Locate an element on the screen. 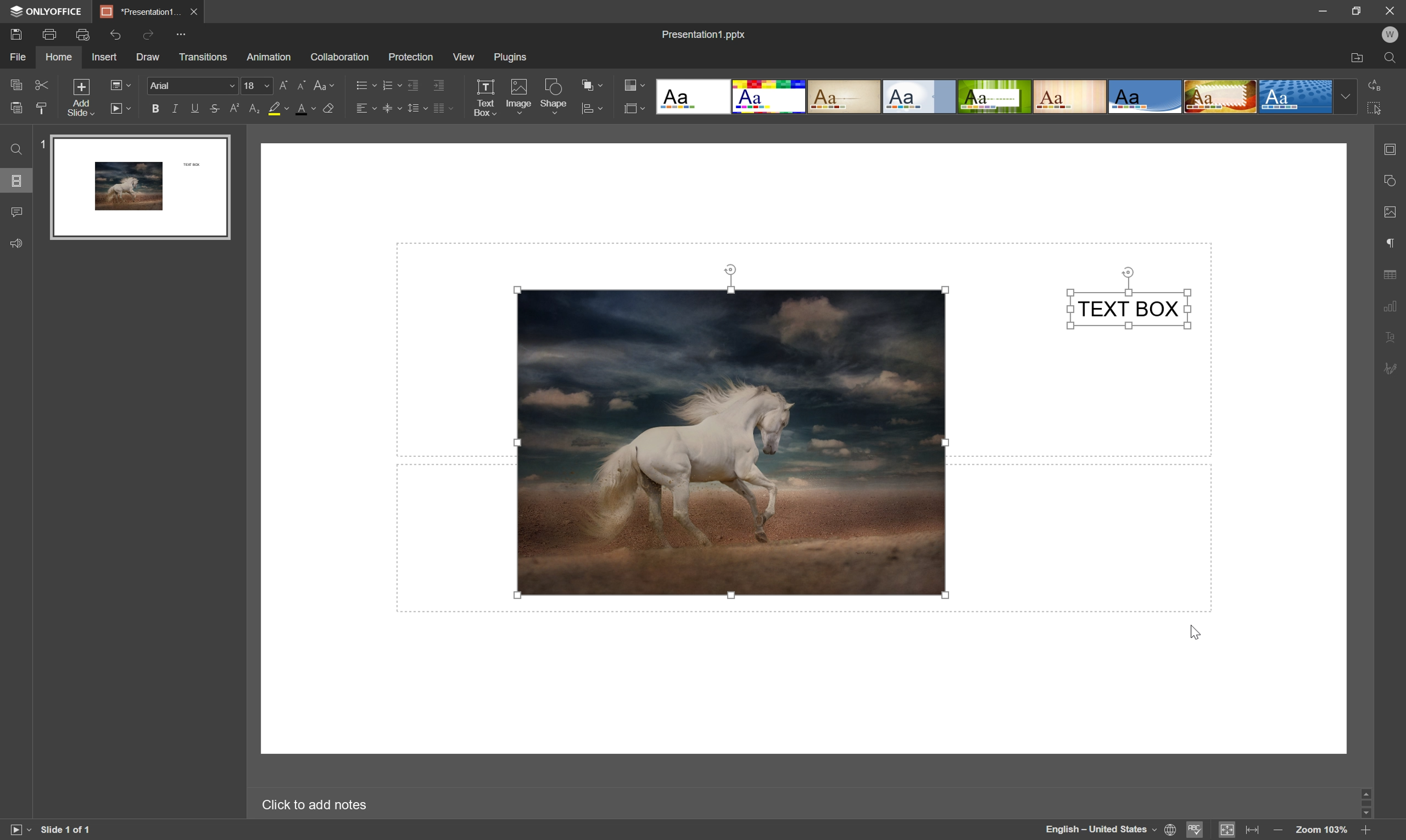 The image size is (1406, 840). numbering is located at coordinates (390, 85).